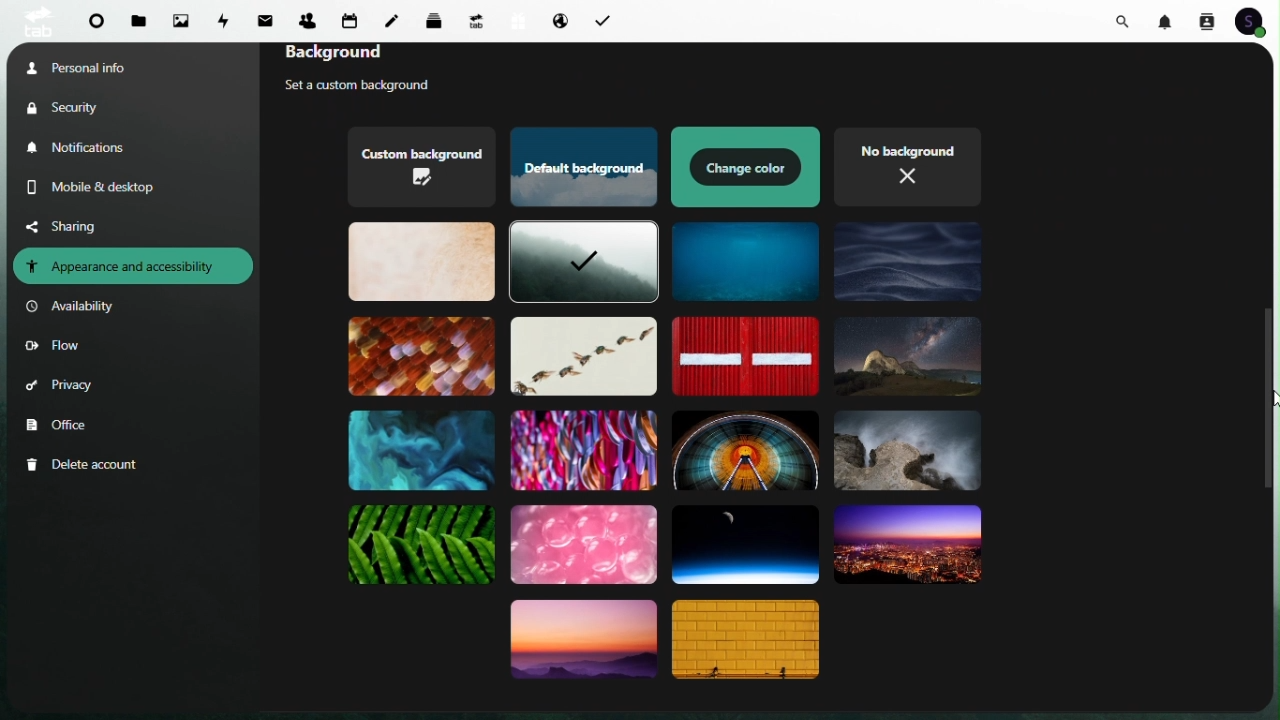 This screenshot has height=720, width=1280. I want to click on Sharing, so click(77, 225).